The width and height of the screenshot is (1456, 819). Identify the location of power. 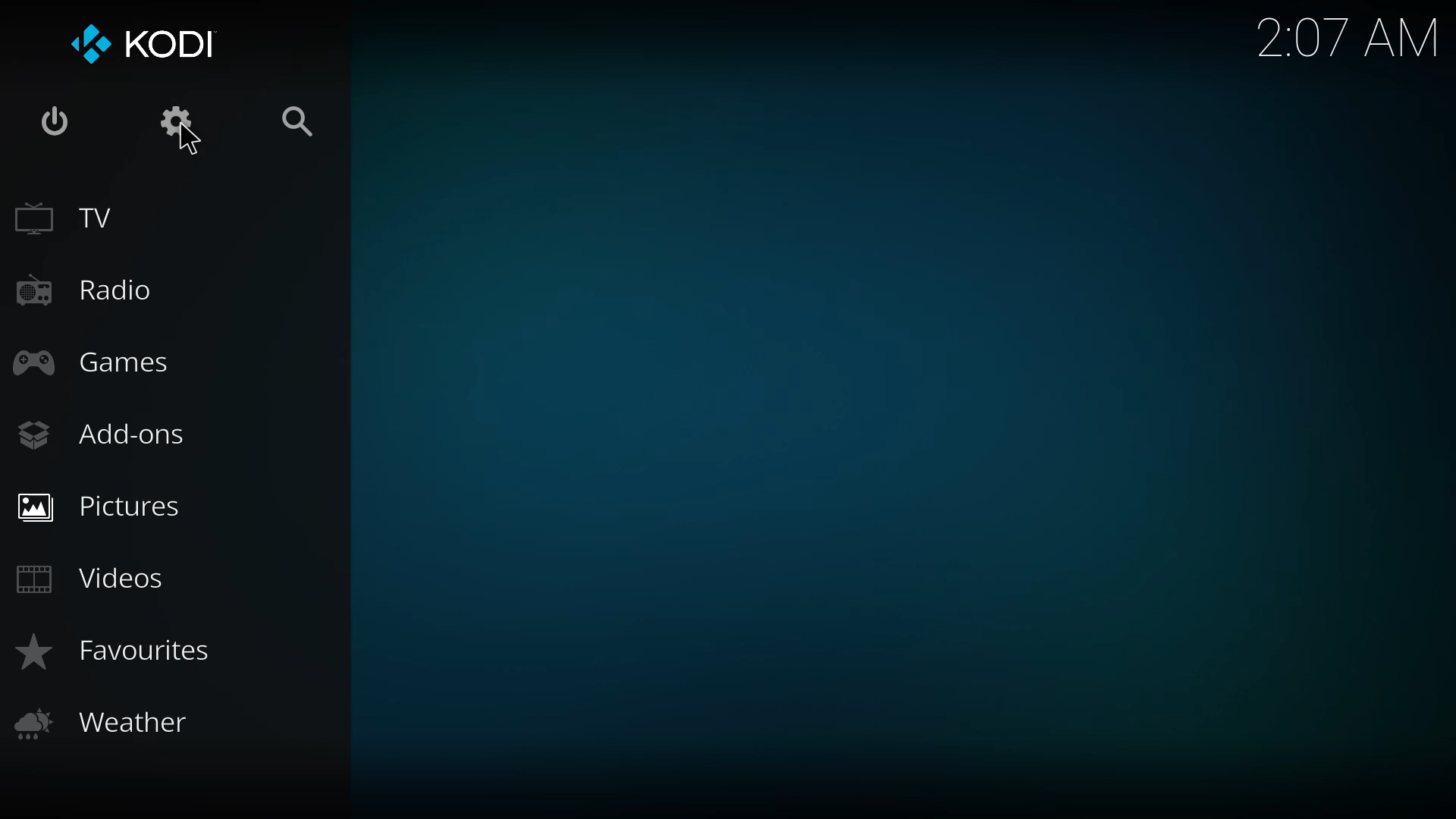
(58, 119).